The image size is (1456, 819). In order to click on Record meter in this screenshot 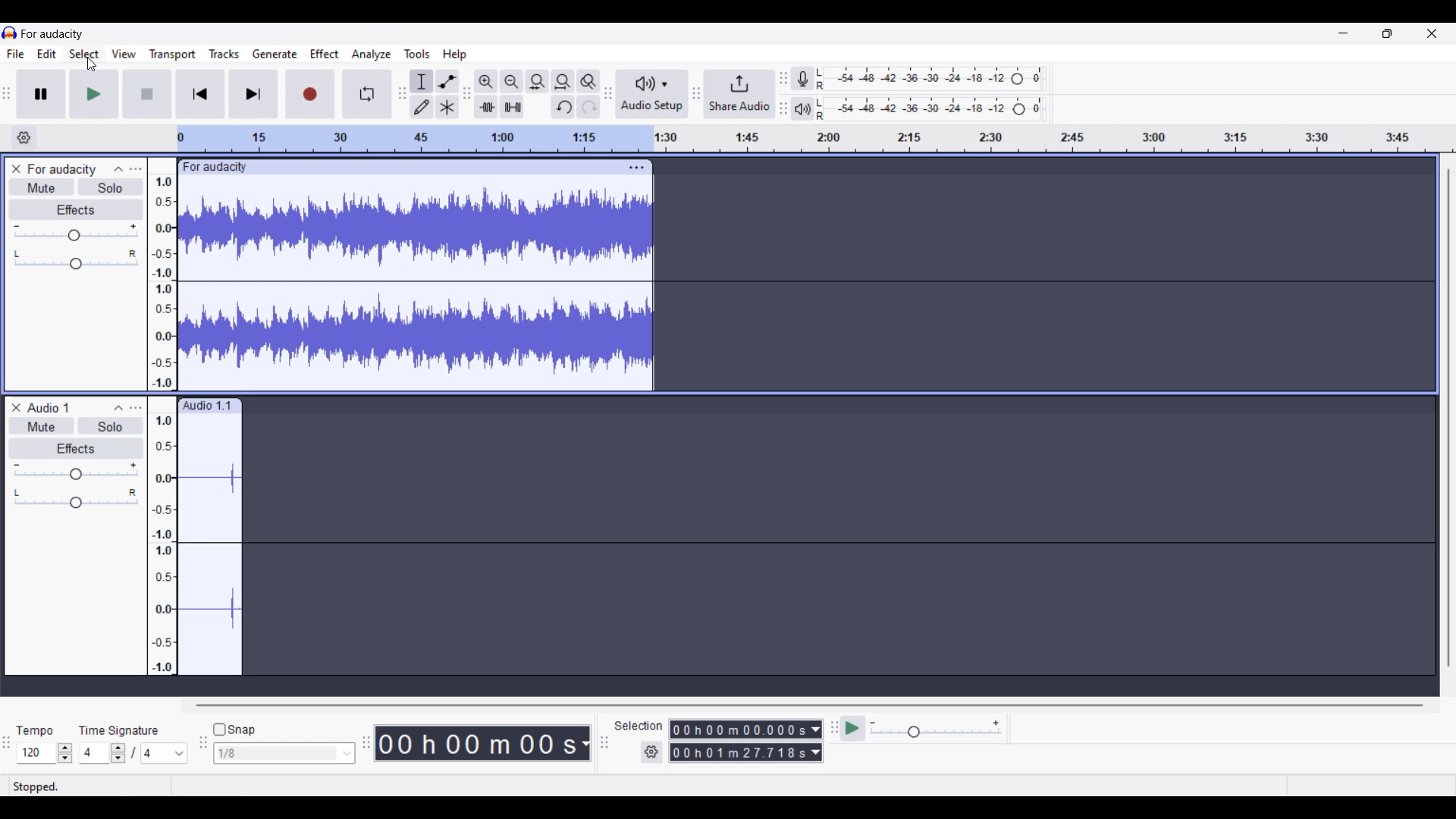, I will do `click(802, 78)`.